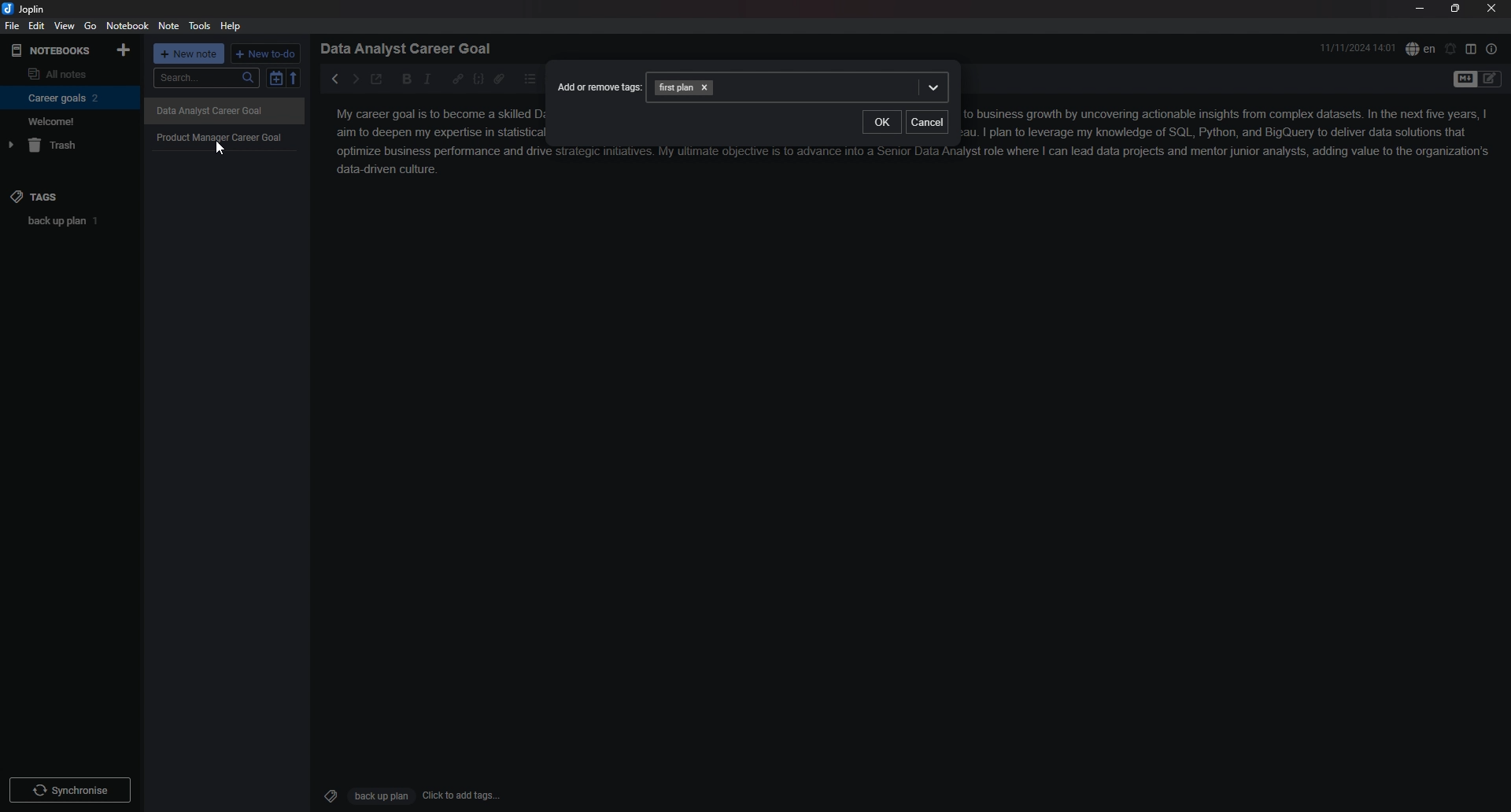  What do you see at coordinates (427, 79) in the screenshot?
I see `italic` at bounding box center [427, 79].